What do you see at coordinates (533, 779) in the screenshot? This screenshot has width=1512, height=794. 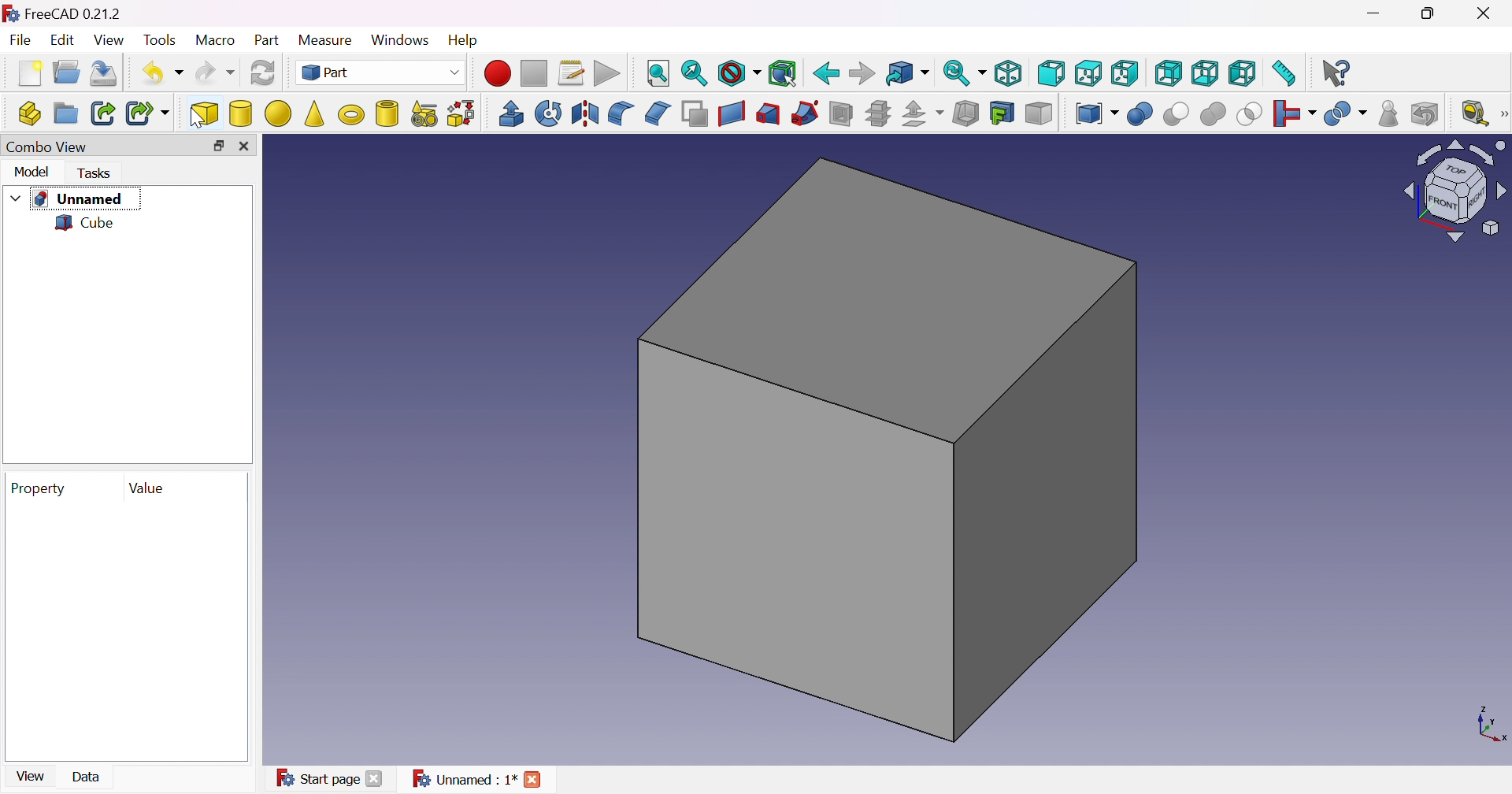 I see `Close` at bounding box center [533, 779].